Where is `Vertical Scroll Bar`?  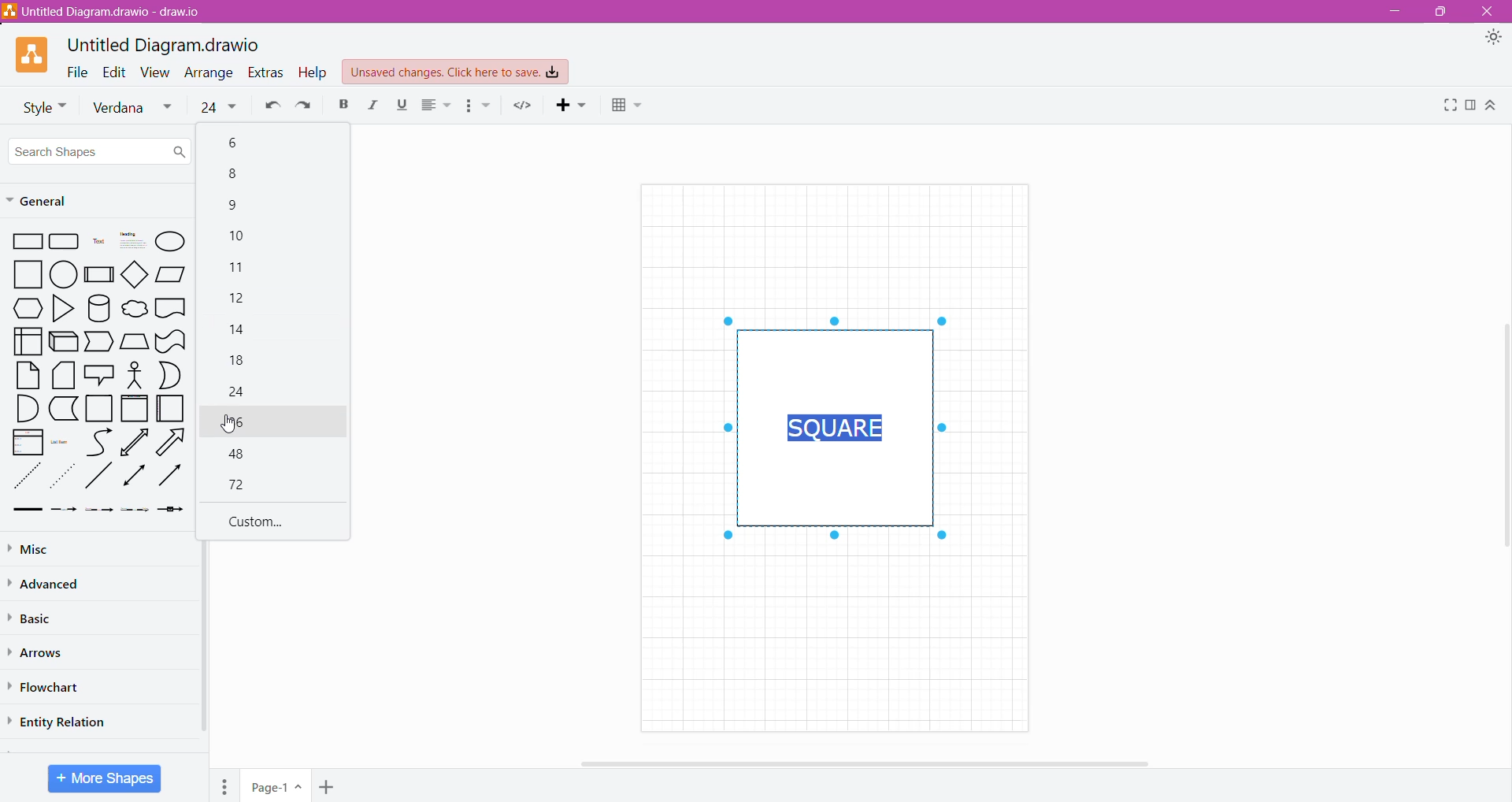
Vertical Scroll Bar is located at coordinates (1503, 436).